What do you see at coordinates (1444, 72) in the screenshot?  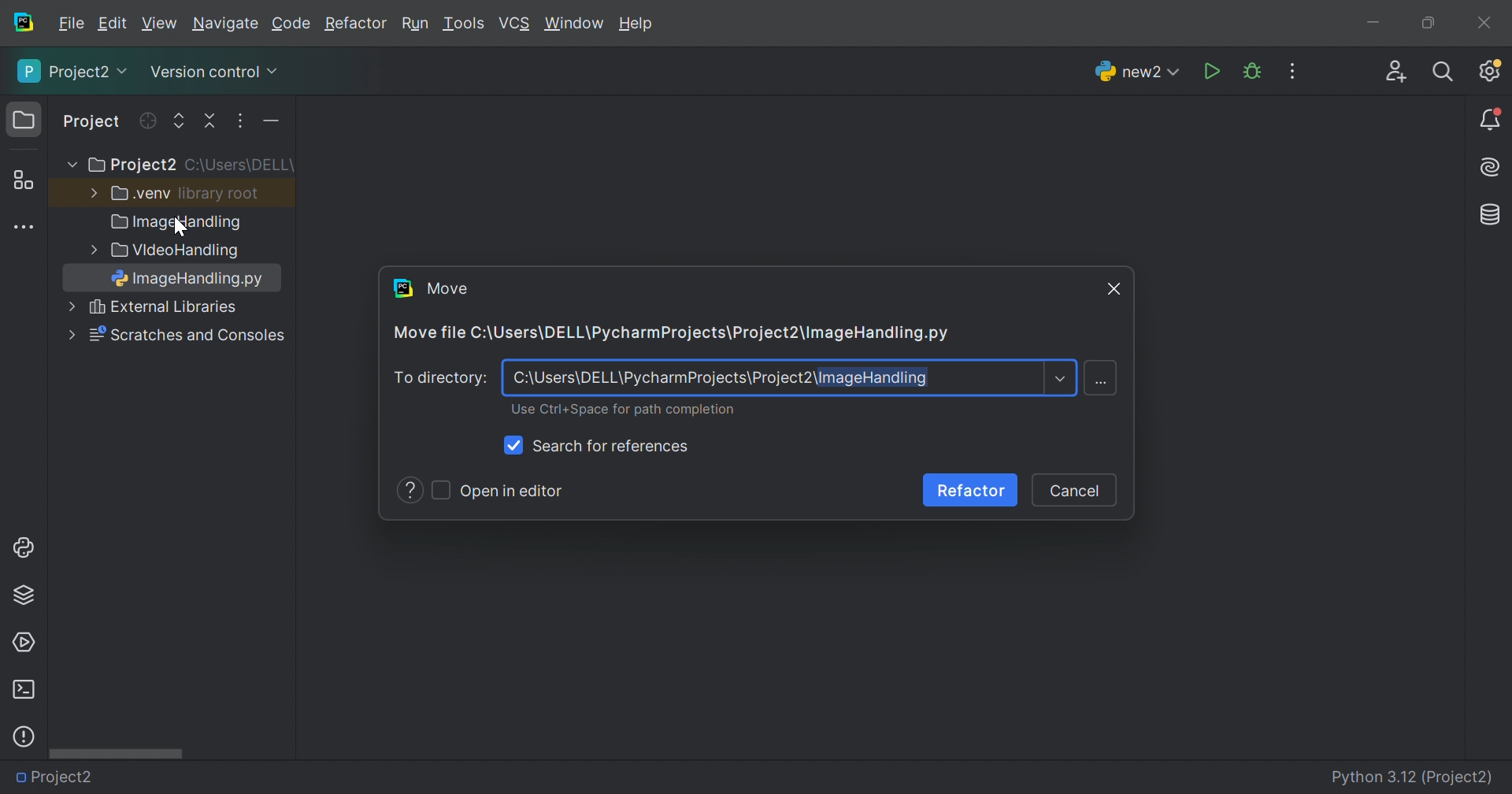 I see `Search everywhere` at bounding box center [1444, 72].